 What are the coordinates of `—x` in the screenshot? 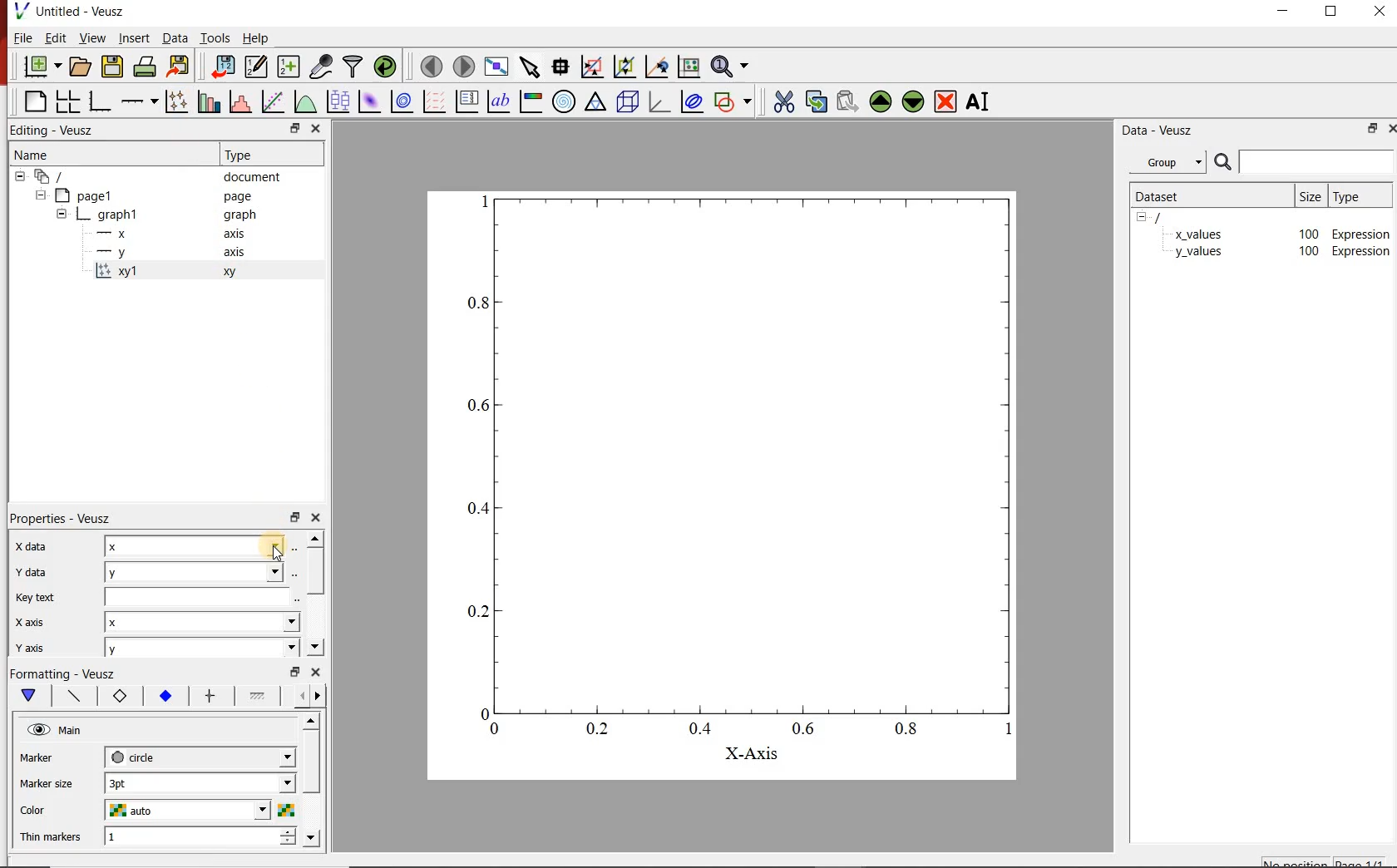 It's located at (116, 232).